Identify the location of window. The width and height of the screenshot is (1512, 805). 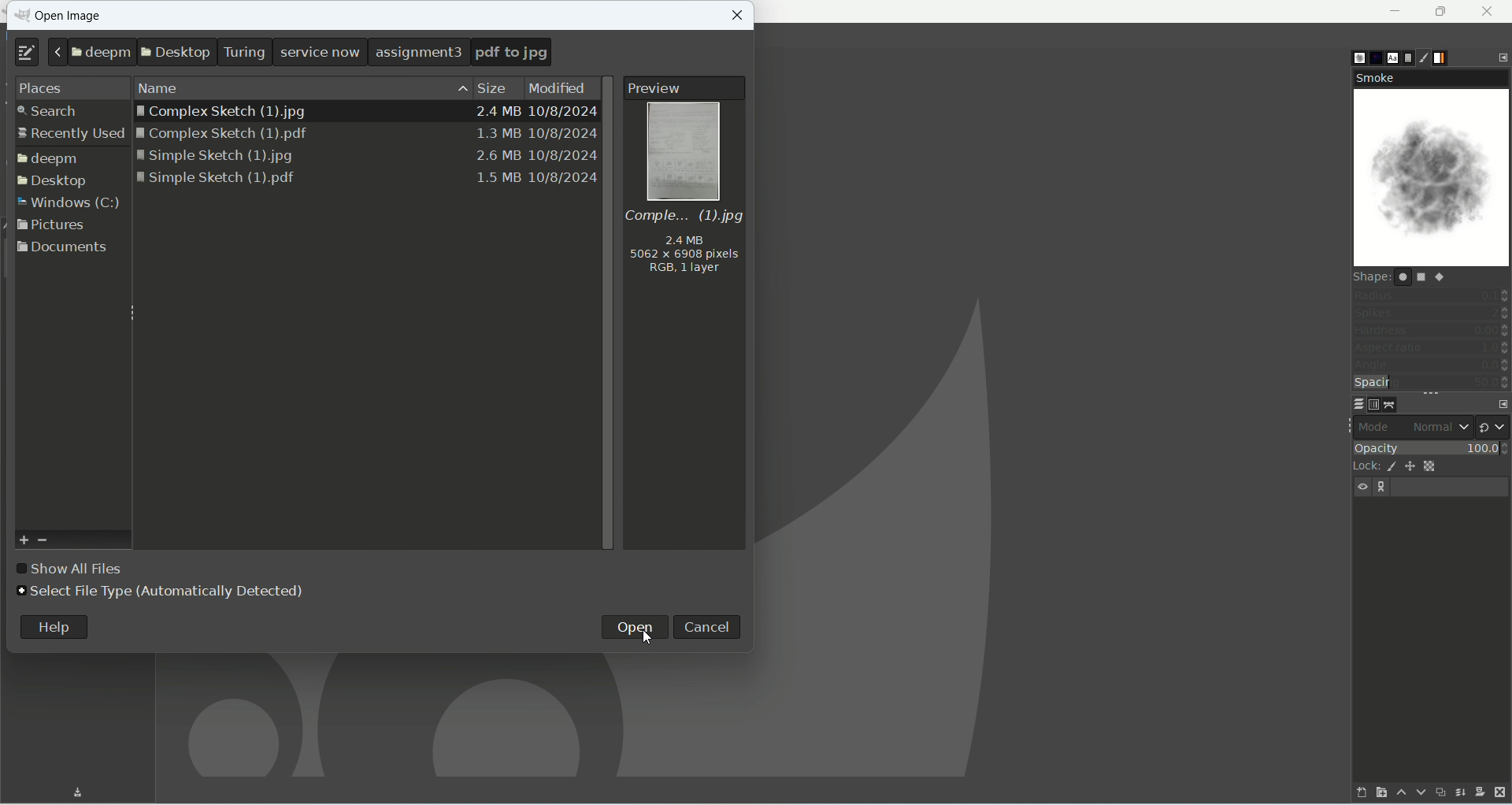
(70, 202).